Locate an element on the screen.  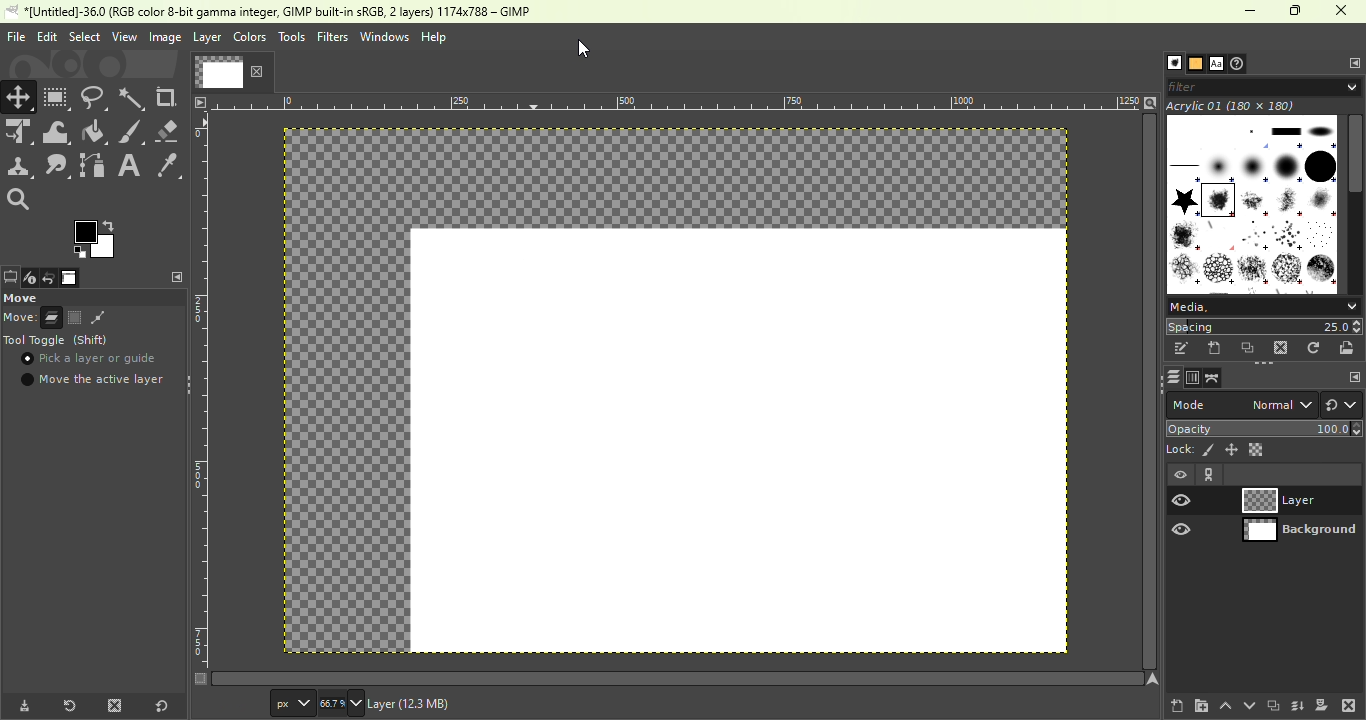
Paths is located at coordinates (1213, 378).